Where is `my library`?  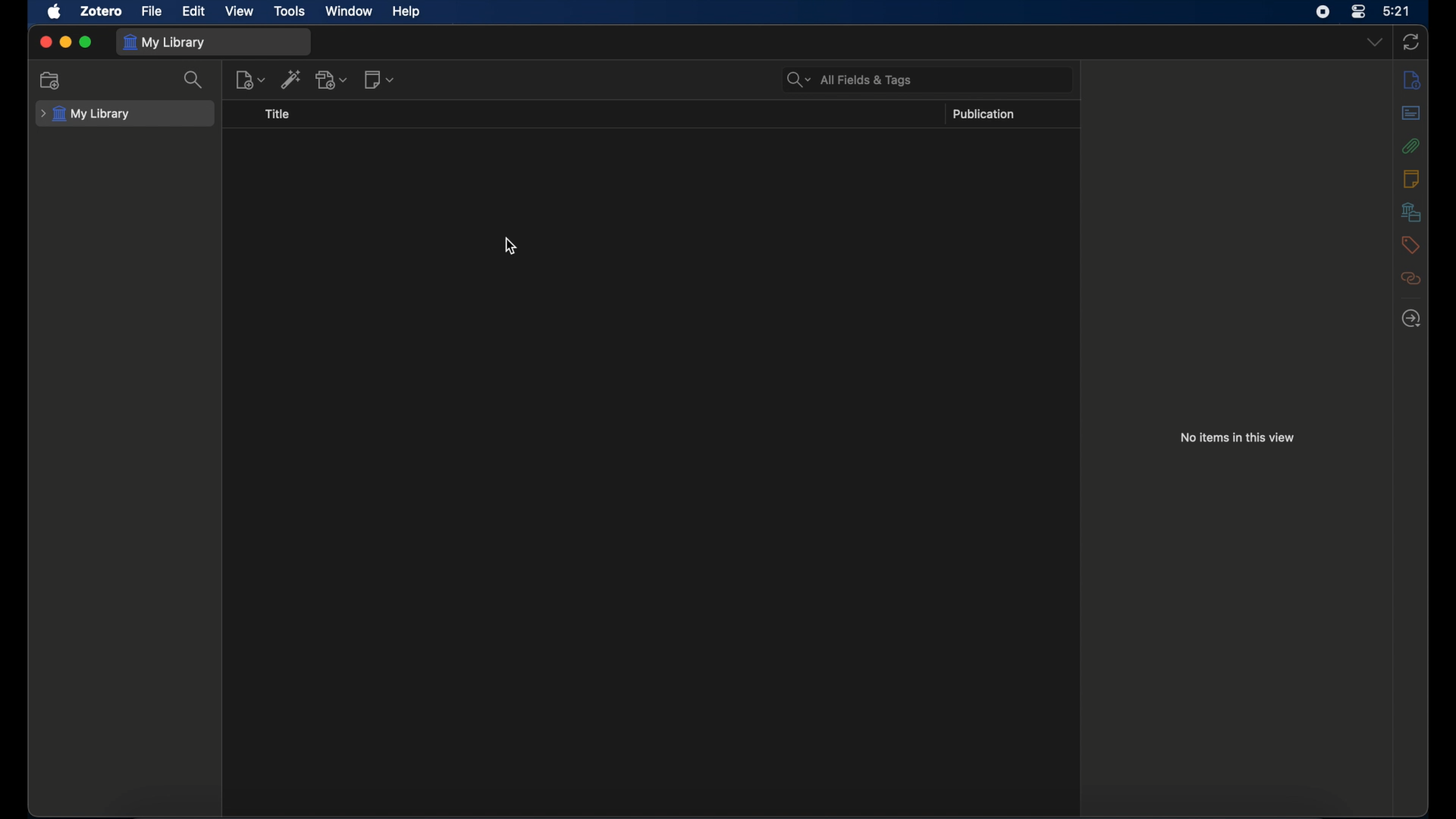
my library is located at coordinates (86, 115).